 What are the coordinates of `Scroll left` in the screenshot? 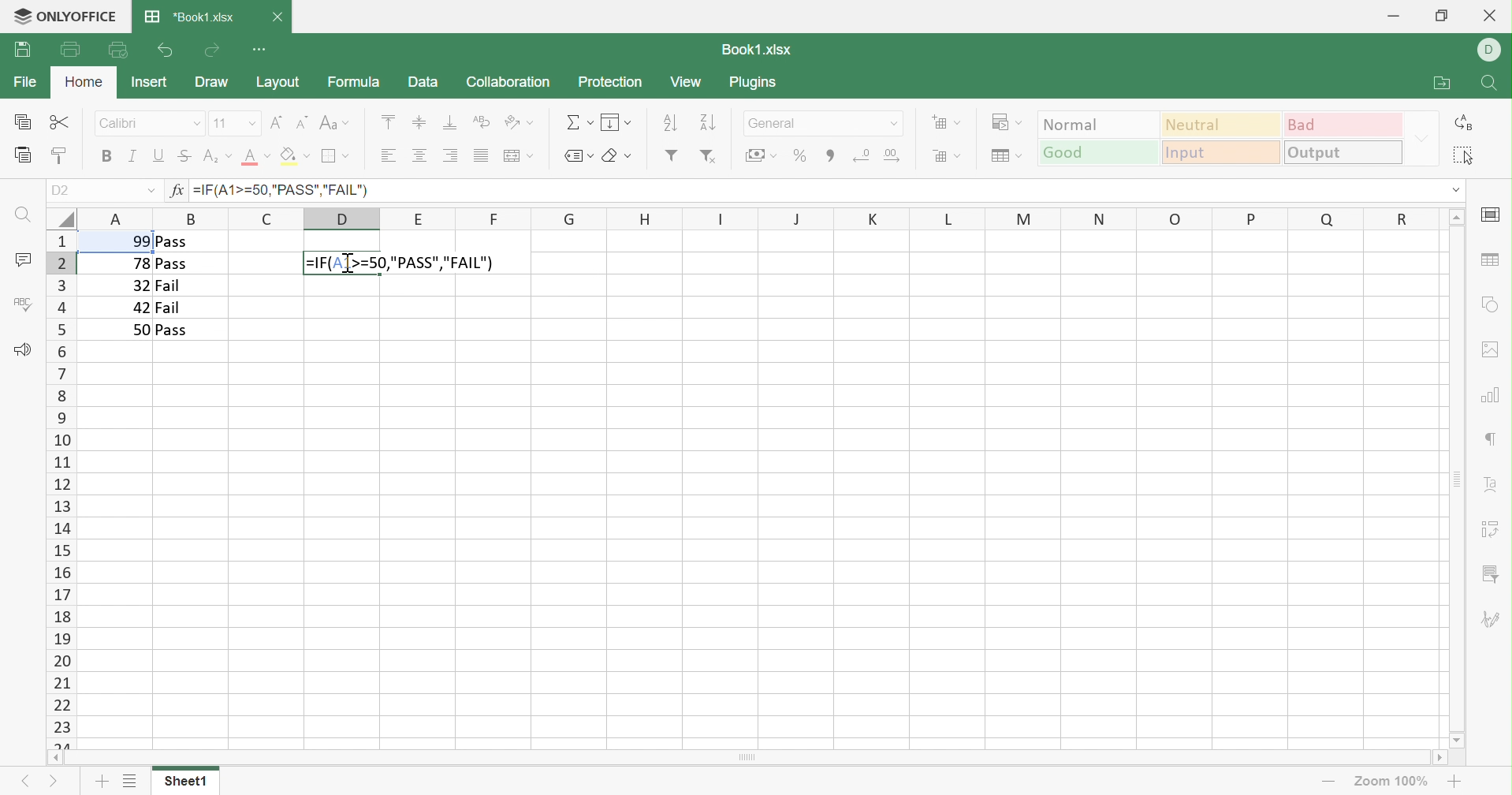 It's located at (54, 759).